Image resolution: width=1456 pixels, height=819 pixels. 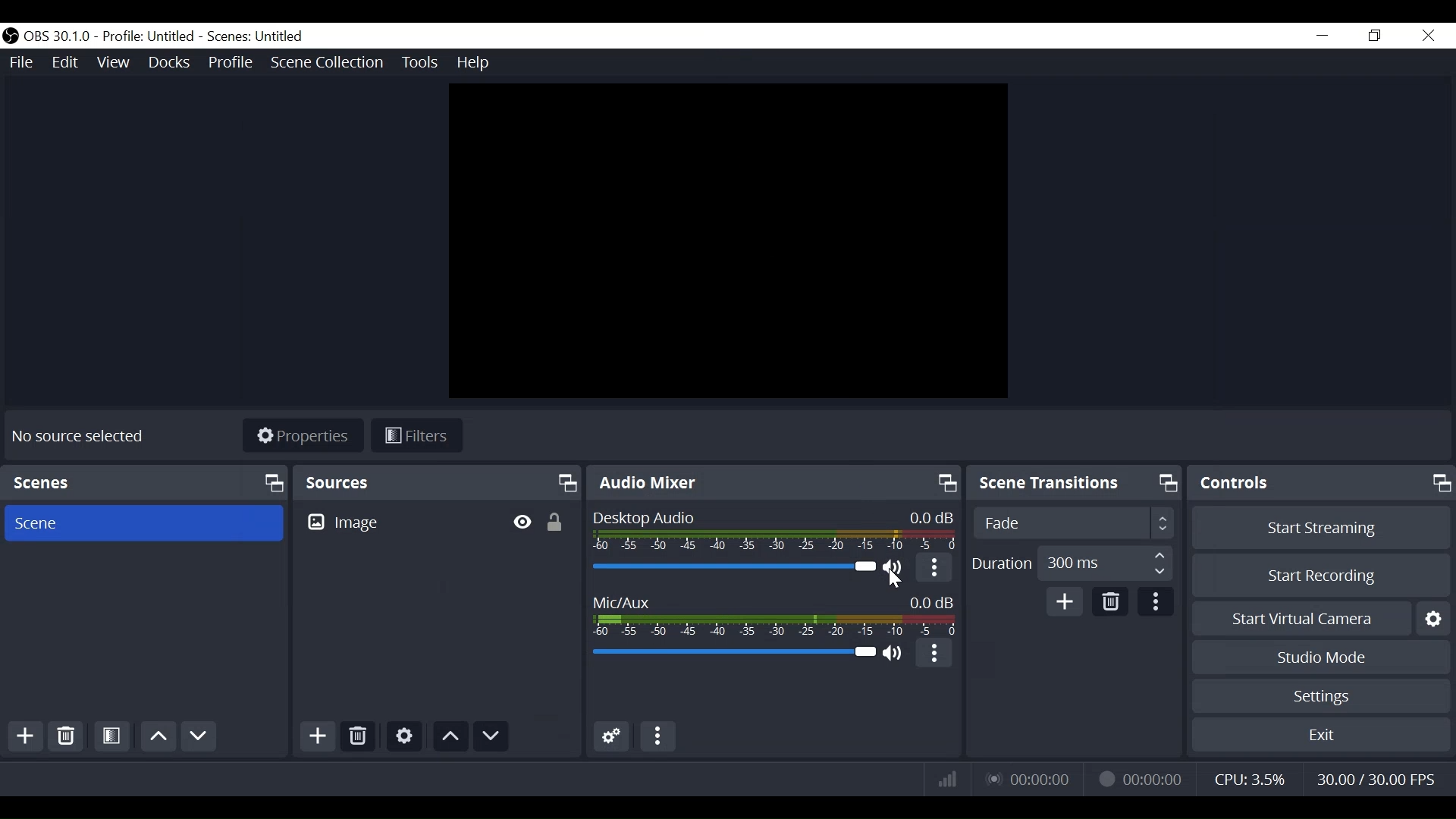 I want to click on Studio Mode, so click(x=1319, y=657).